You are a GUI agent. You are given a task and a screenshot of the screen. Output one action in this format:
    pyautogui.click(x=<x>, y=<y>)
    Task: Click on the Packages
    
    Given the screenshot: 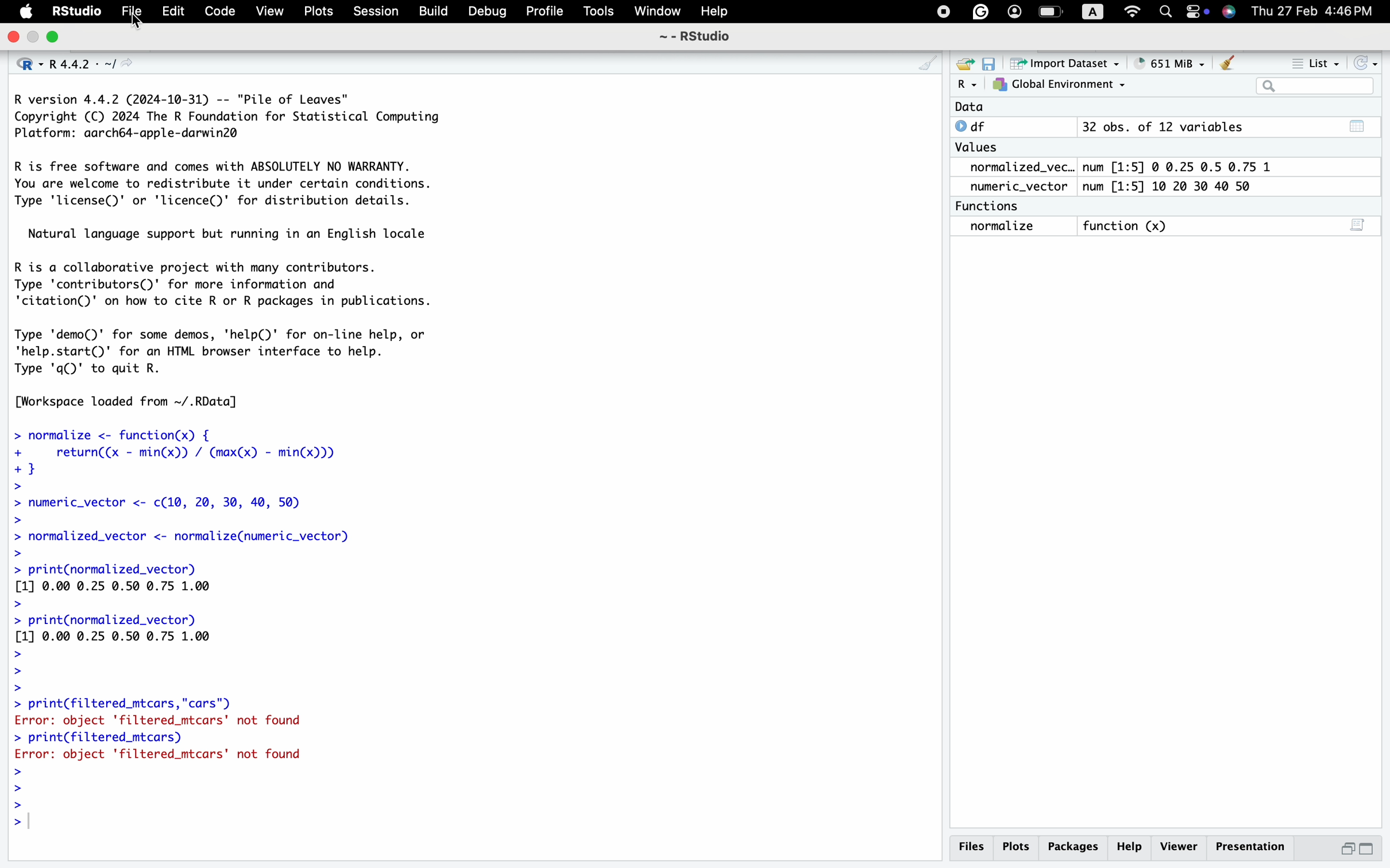 What is the action you would take?
    pyautogui.click(x=1074, y=847)
    